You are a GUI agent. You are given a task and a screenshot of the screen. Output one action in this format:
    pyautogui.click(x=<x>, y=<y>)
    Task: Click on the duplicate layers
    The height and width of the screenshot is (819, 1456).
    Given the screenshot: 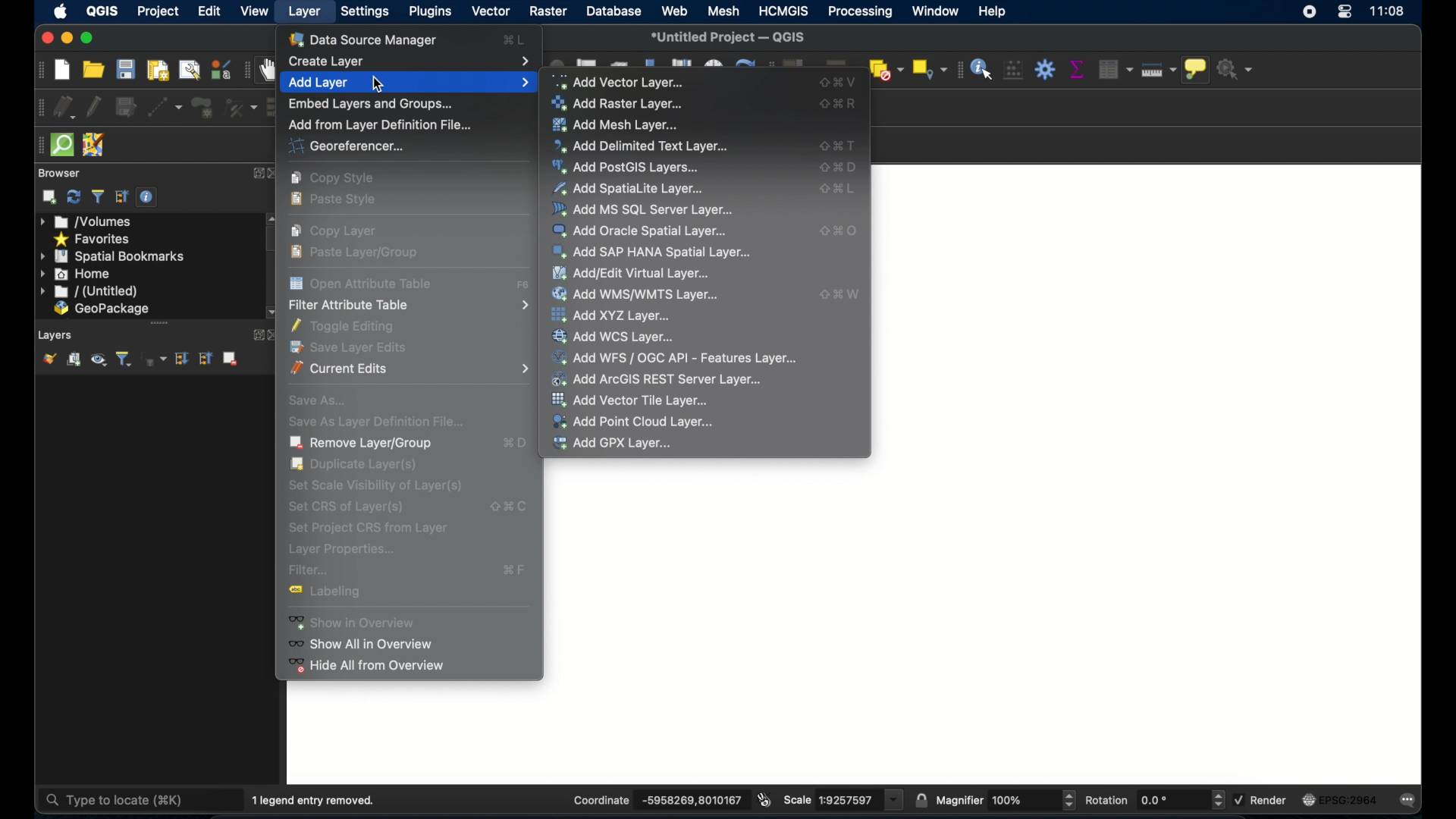 What is the action you would take?
    pyautogui.click(x=357, y=465)
    